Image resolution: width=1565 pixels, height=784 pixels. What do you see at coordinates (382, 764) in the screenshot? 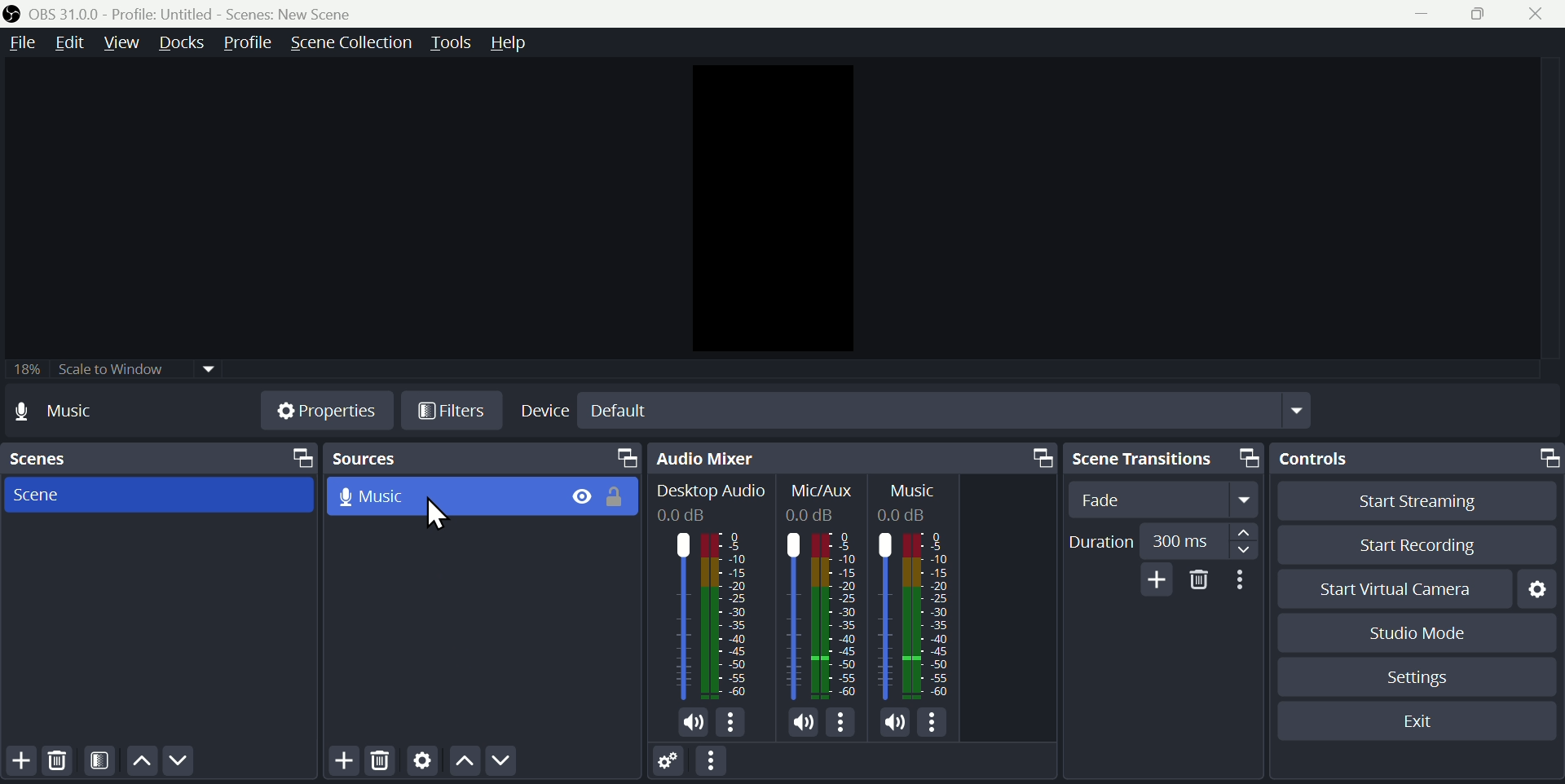
I see `Delete` at bounding box center [382, 764].